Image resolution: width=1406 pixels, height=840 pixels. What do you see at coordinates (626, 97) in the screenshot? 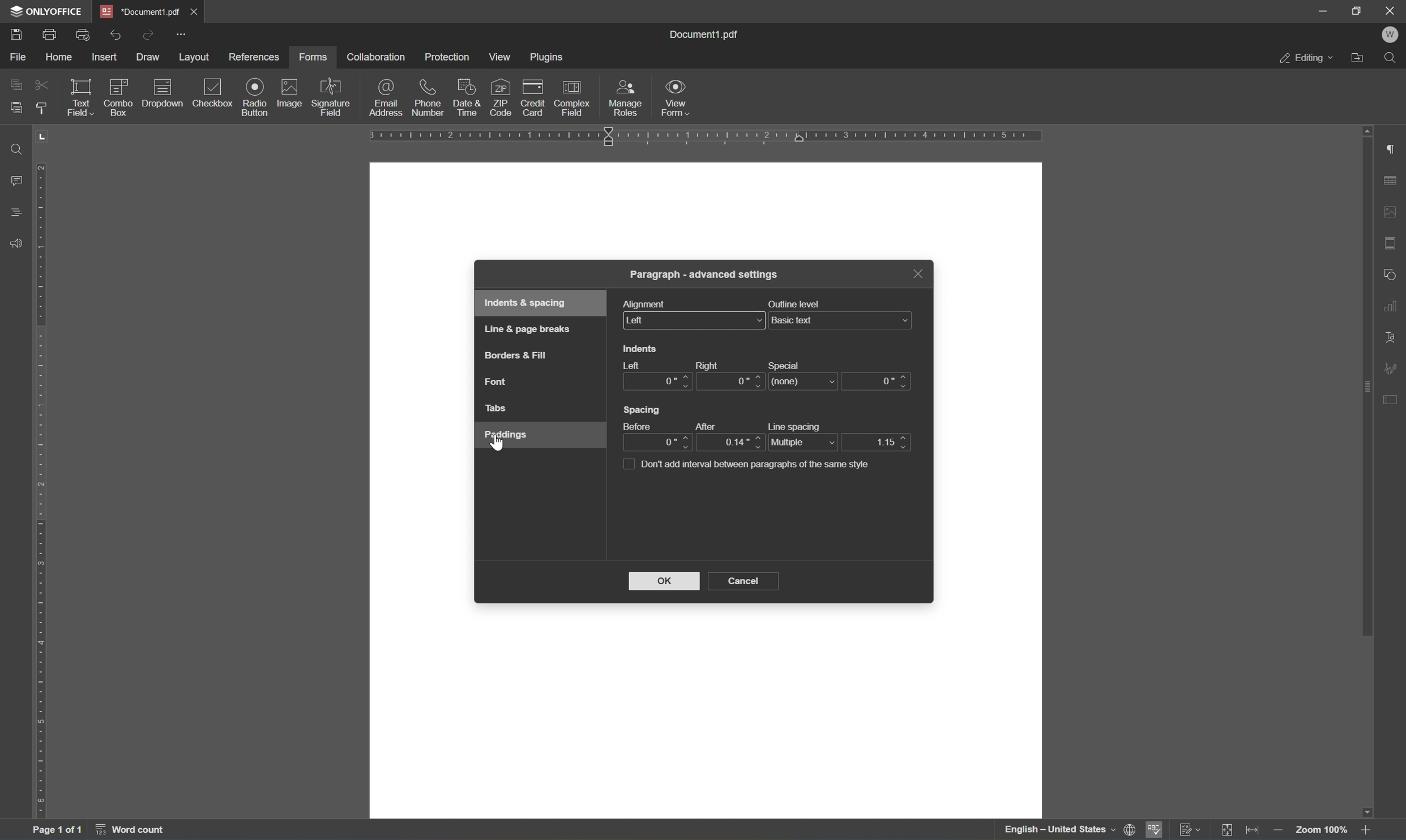
I see `manage roles` at bounding box center [626, 97].